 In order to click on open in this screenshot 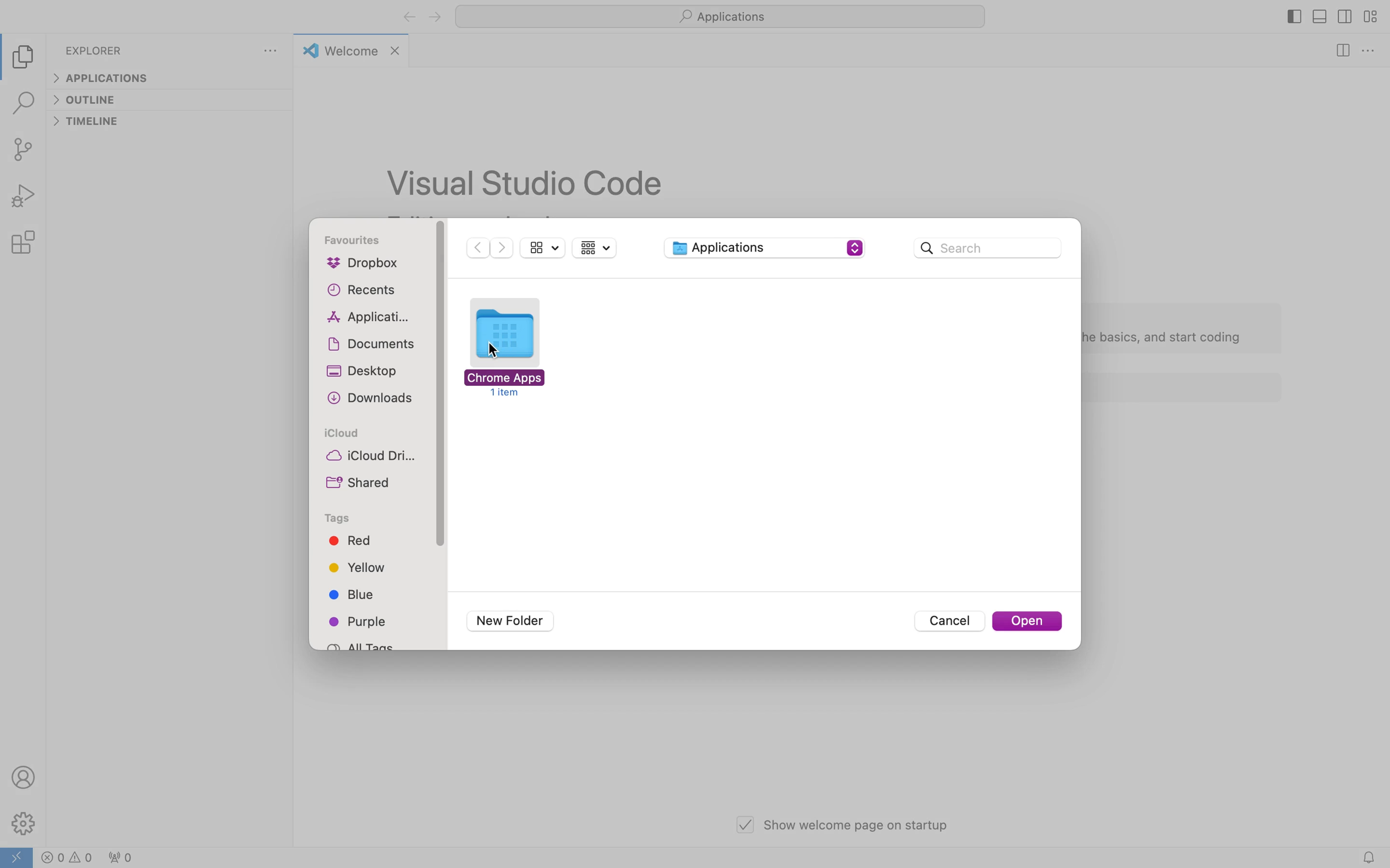, I will do `click(1028, 622)`.